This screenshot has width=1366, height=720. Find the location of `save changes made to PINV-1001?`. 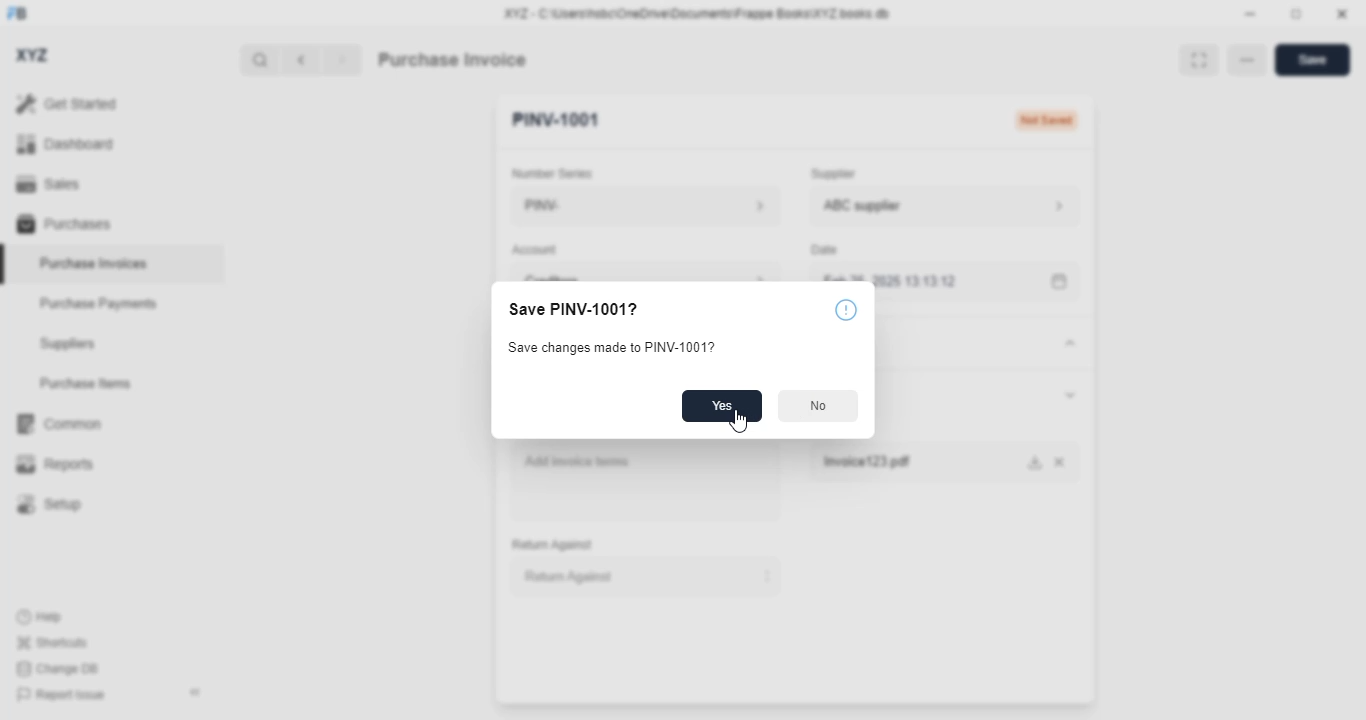

save changes made to PINV-1001? is located at coordinates (612, 348).